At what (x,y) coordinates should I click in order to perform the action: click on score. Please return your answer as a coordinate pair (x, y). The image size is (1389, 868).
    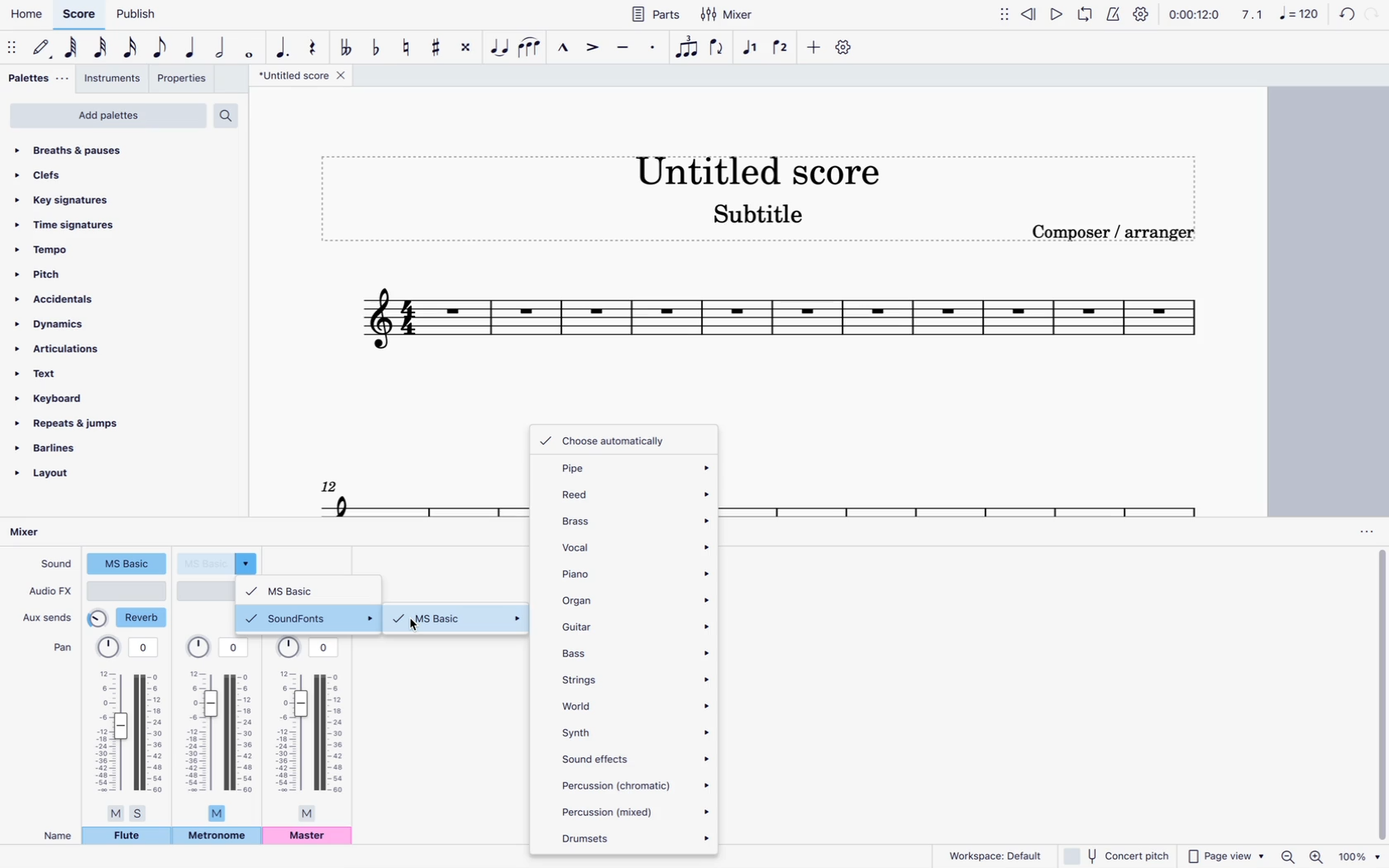
    Looking at the image, I should click on (80, 15).